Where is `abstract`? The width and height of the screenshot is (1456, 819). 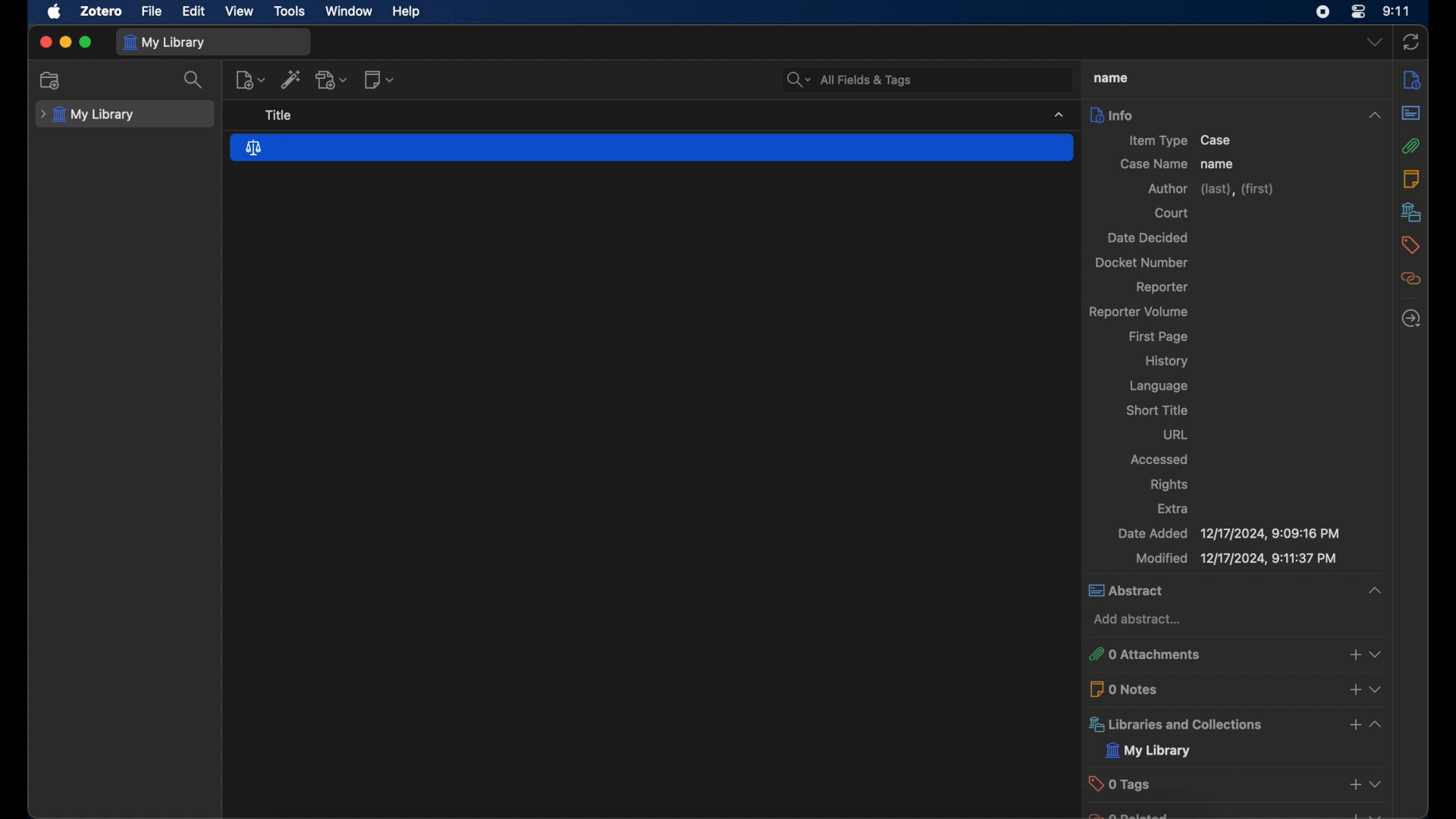
abstract is located at coordinates (1411, 113).